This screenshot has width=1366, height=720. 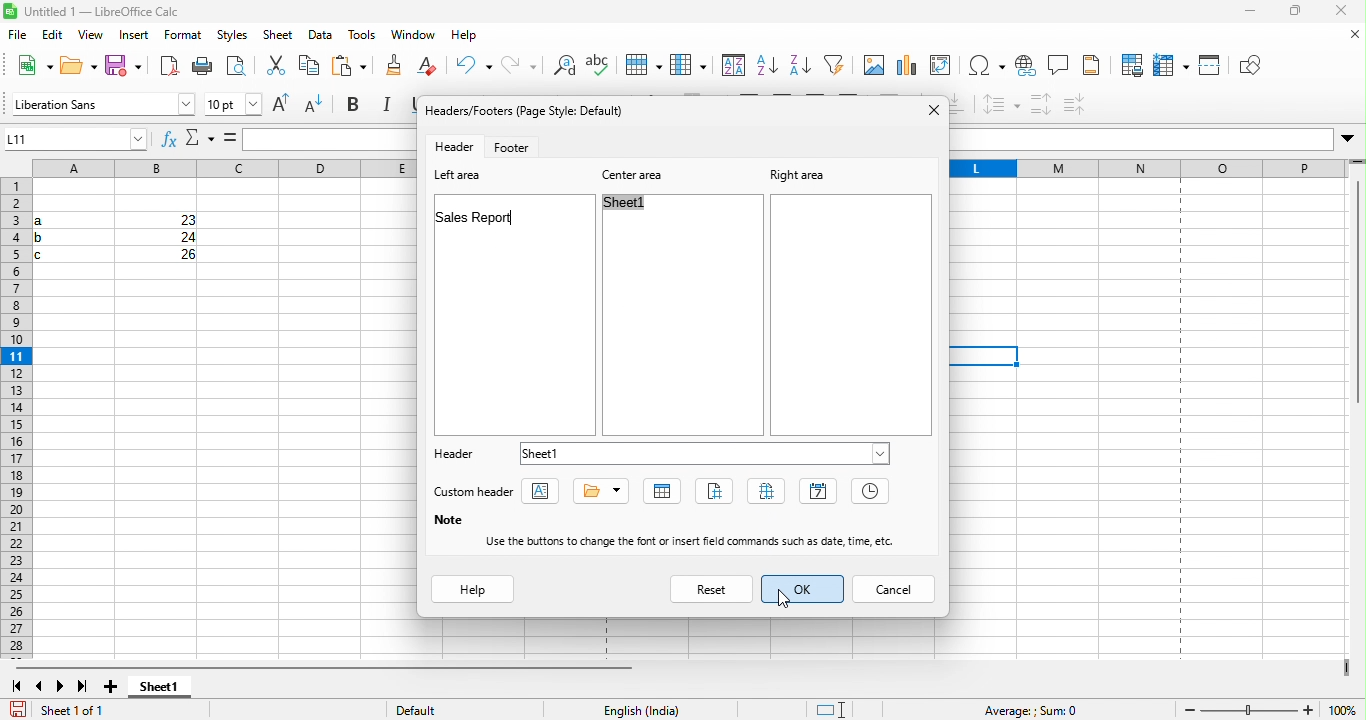 What do you see at coordinates (633, 204) in the screenshot?
I see `sheet1` at bounding box center [633, 204].